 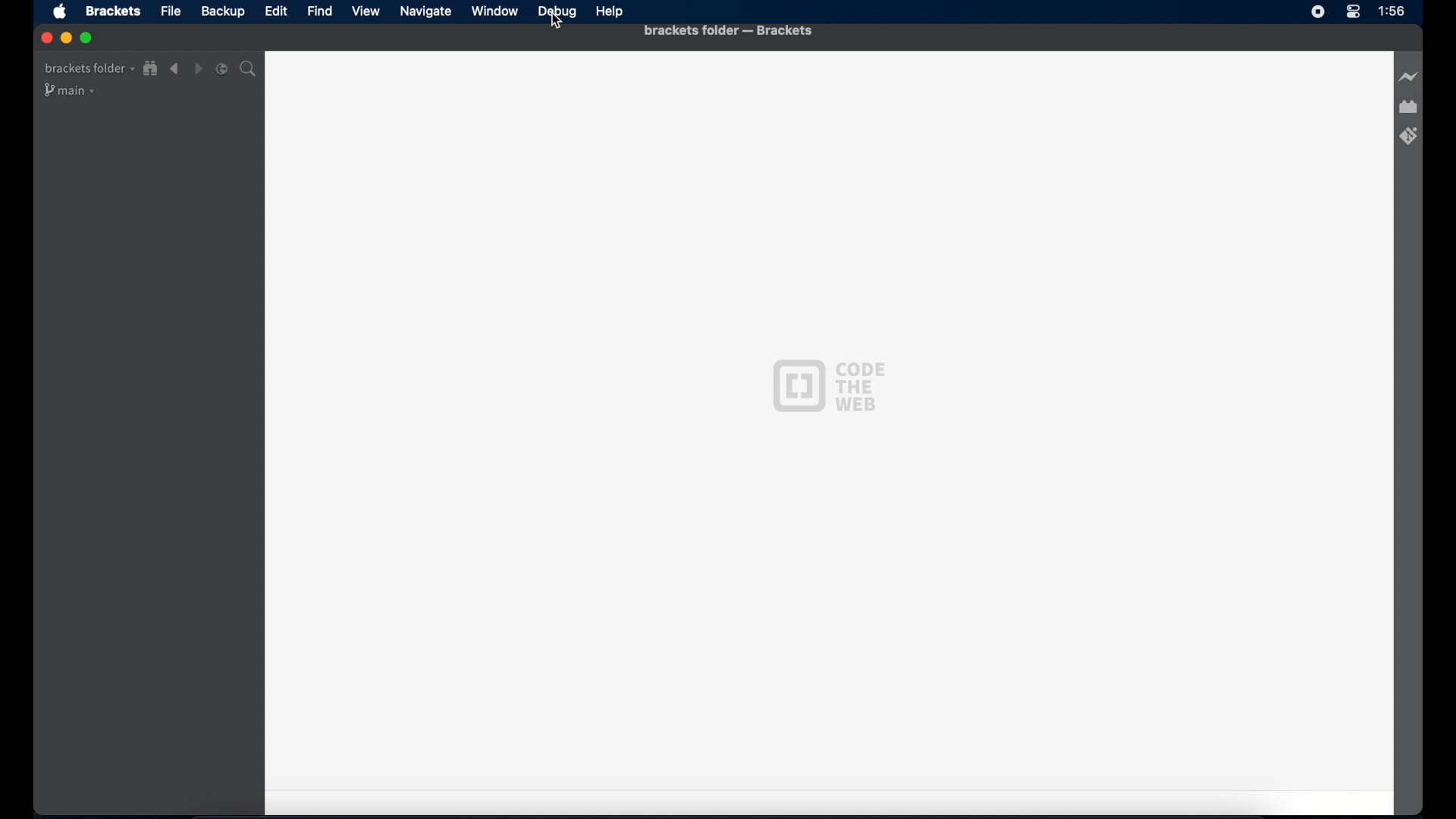 What do you see at coordinates (1316, 12) in the screenshot?
I see `screen recorder icon` at bounding box center [1316, 12].